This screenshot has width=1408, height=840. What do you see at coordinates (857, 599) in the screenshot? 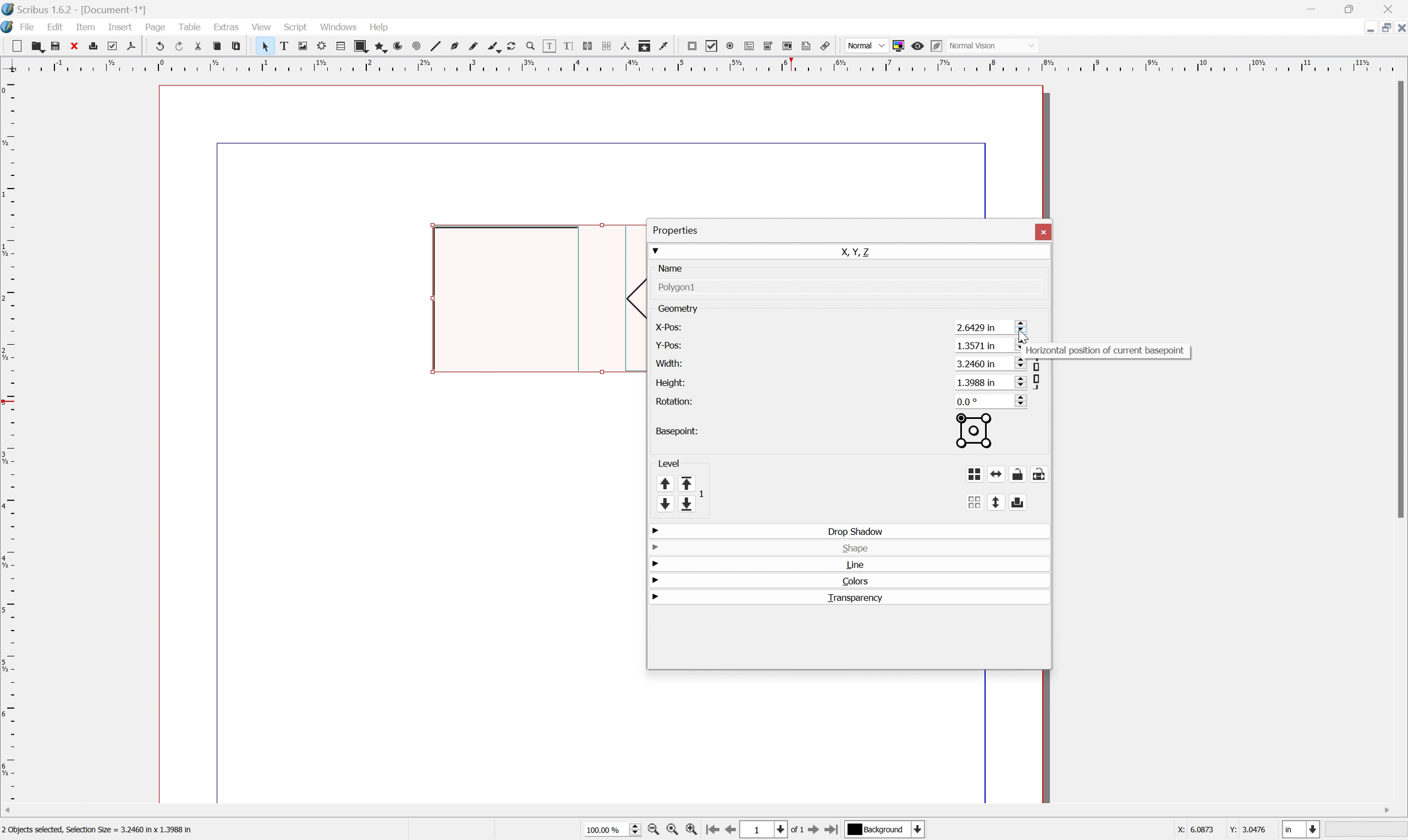
I see `transparency` at bounding box center [857, 599].